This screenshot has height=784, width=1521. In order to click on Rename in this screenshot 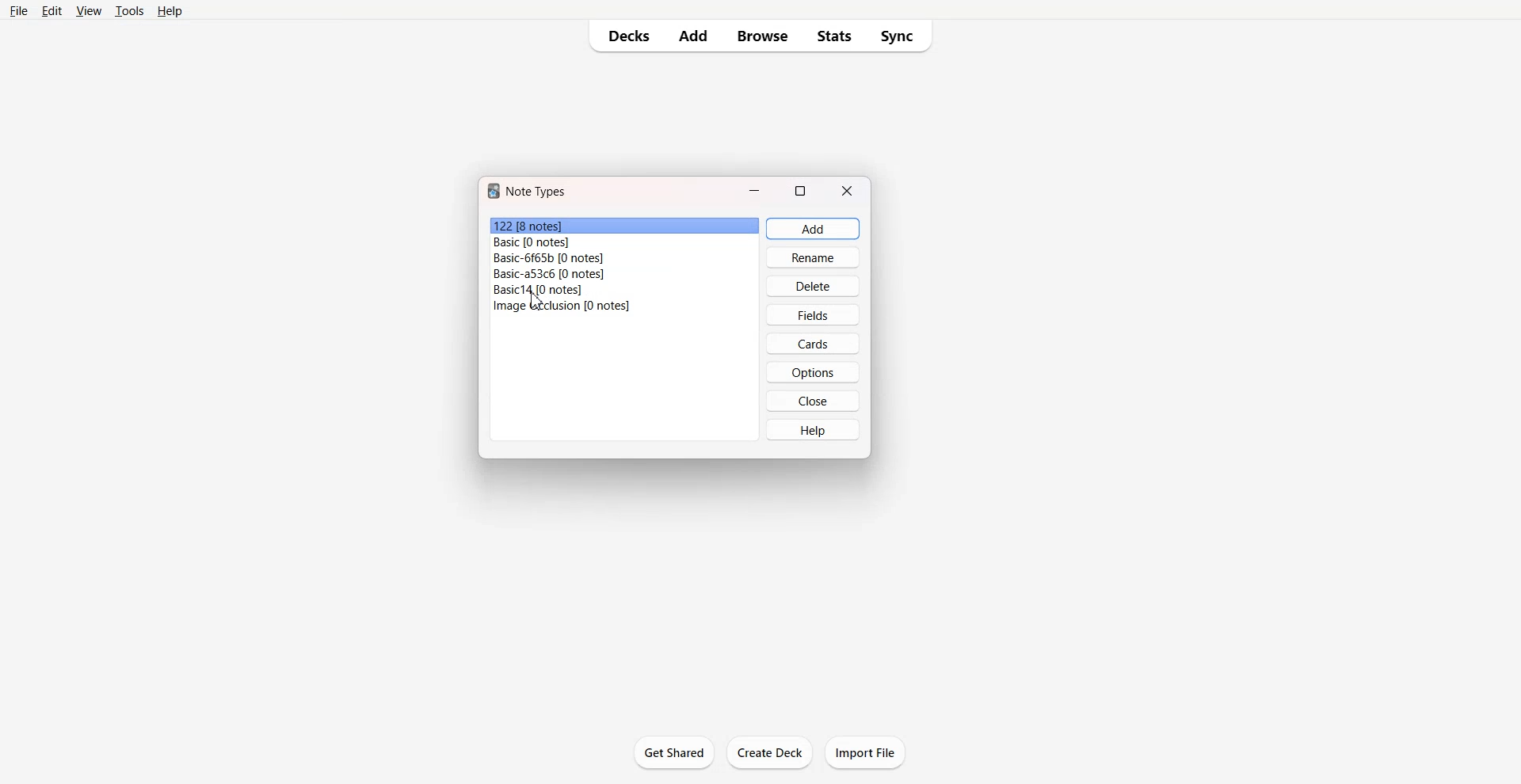, I will do `click(814, 257)`.